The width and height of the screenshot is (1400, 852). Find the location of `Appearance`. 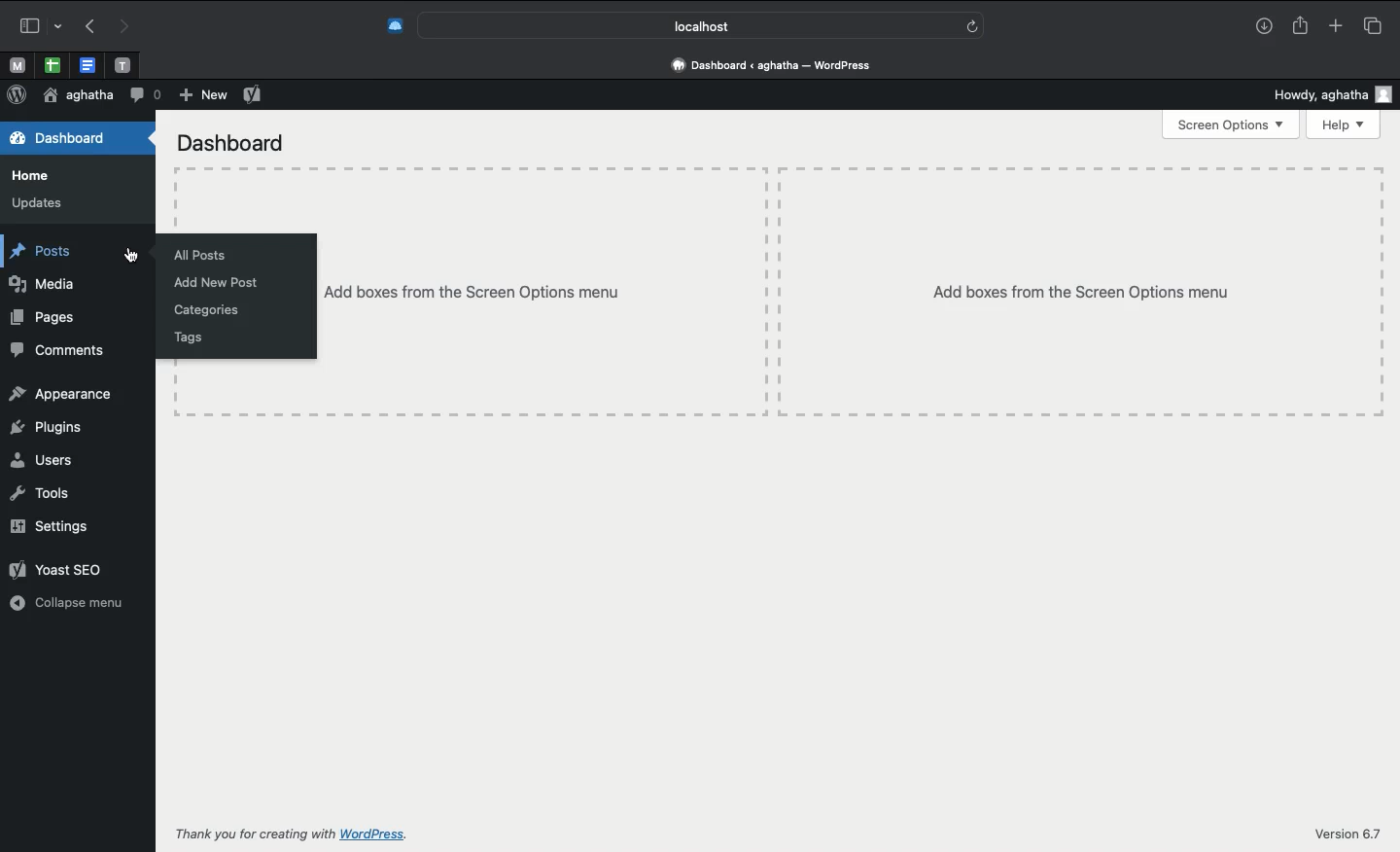

Appearance is located at coordinates (65, 393).